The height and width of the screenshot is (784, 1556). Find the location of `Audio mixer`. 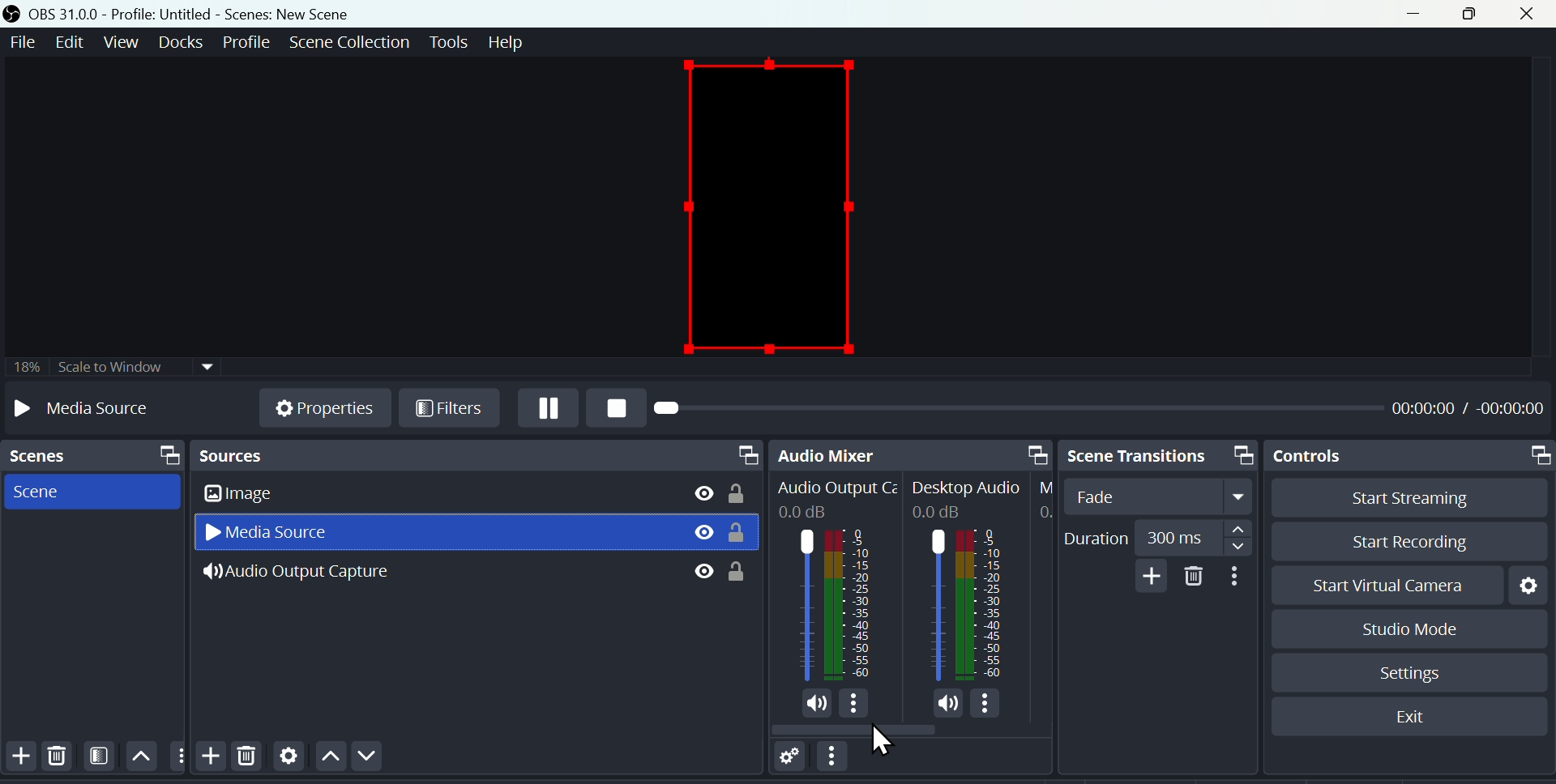

Audio mixer is located at coordinates (914, 453).